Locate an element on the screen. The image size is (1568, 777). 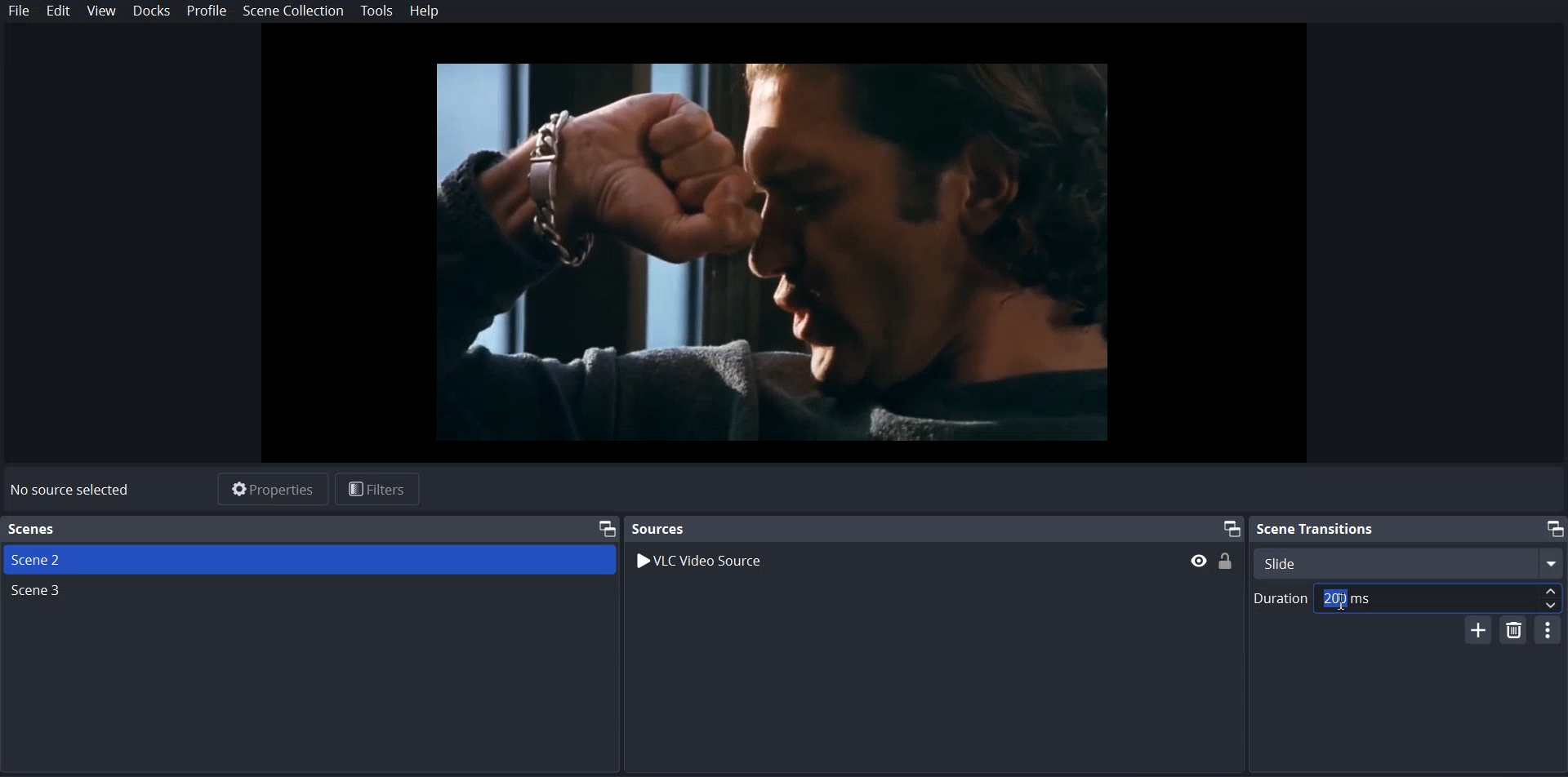
File is located at coordinates (19, 10).